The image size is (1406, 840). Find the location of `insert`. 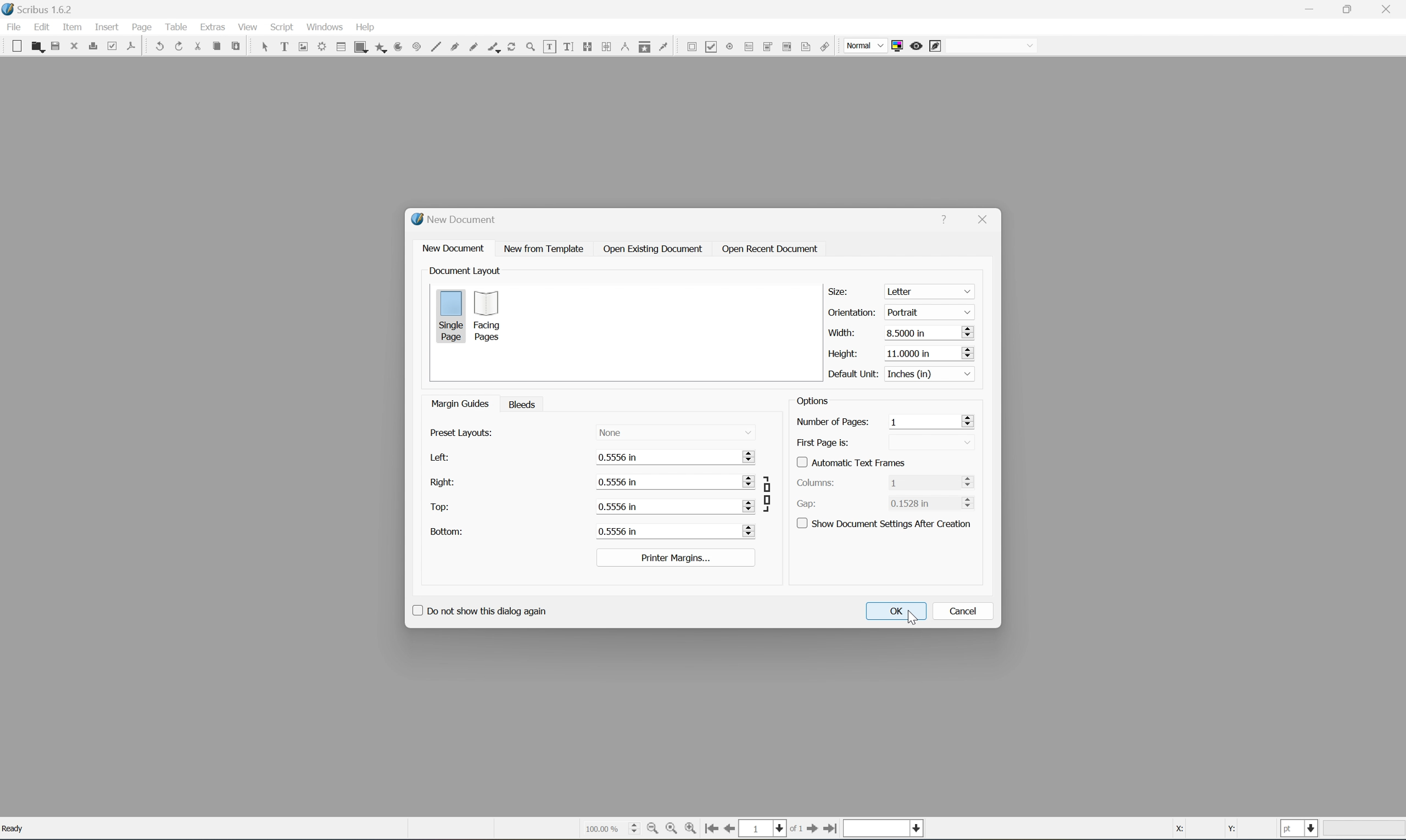

insert is located at coordinates (109, 26).